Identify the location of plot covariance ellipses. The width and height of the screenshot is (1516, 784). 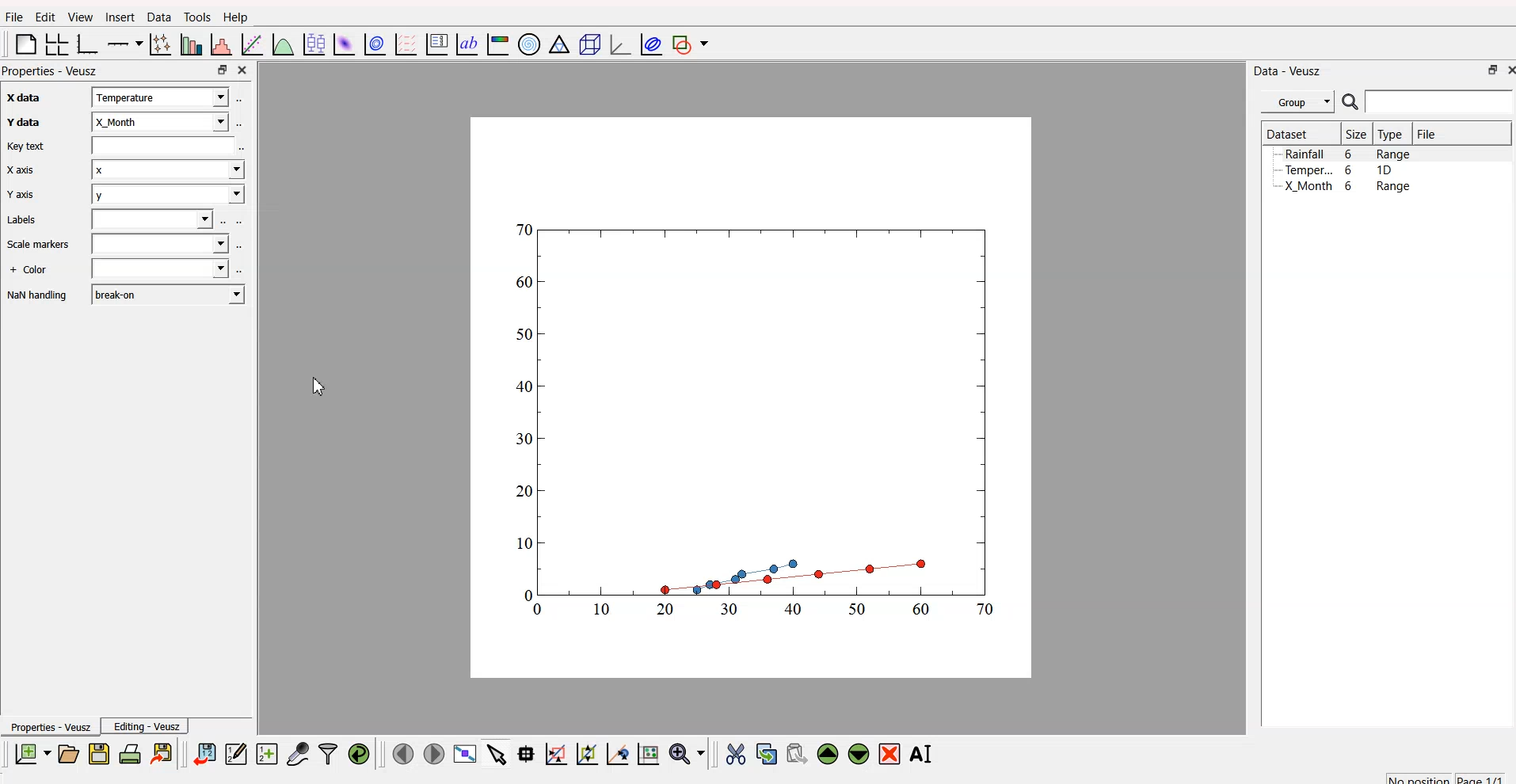
(648, 44).